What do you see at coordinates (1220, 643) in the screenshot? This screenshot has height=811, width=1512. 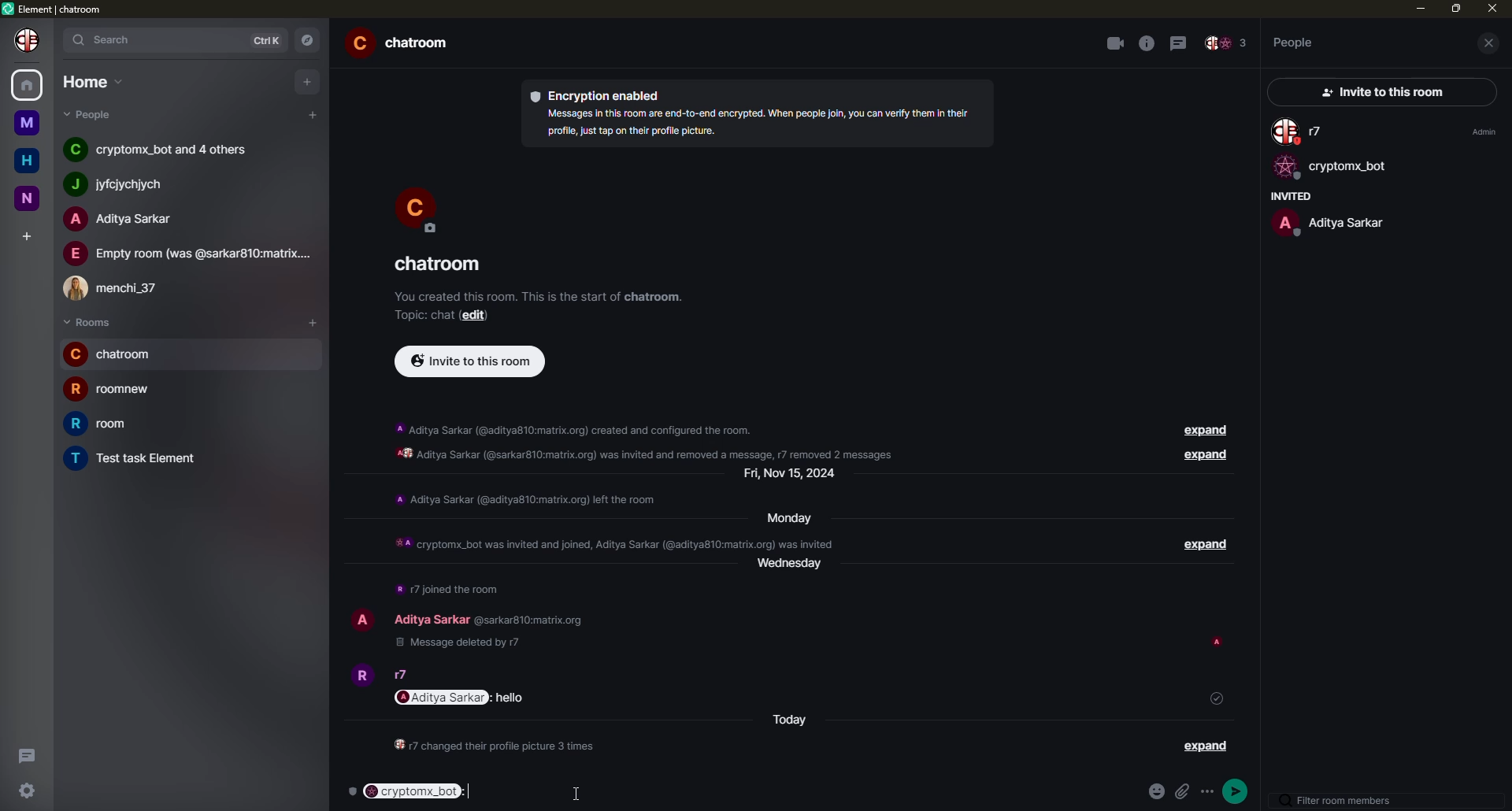 I see `seen` at bounding box center [1220, 643].